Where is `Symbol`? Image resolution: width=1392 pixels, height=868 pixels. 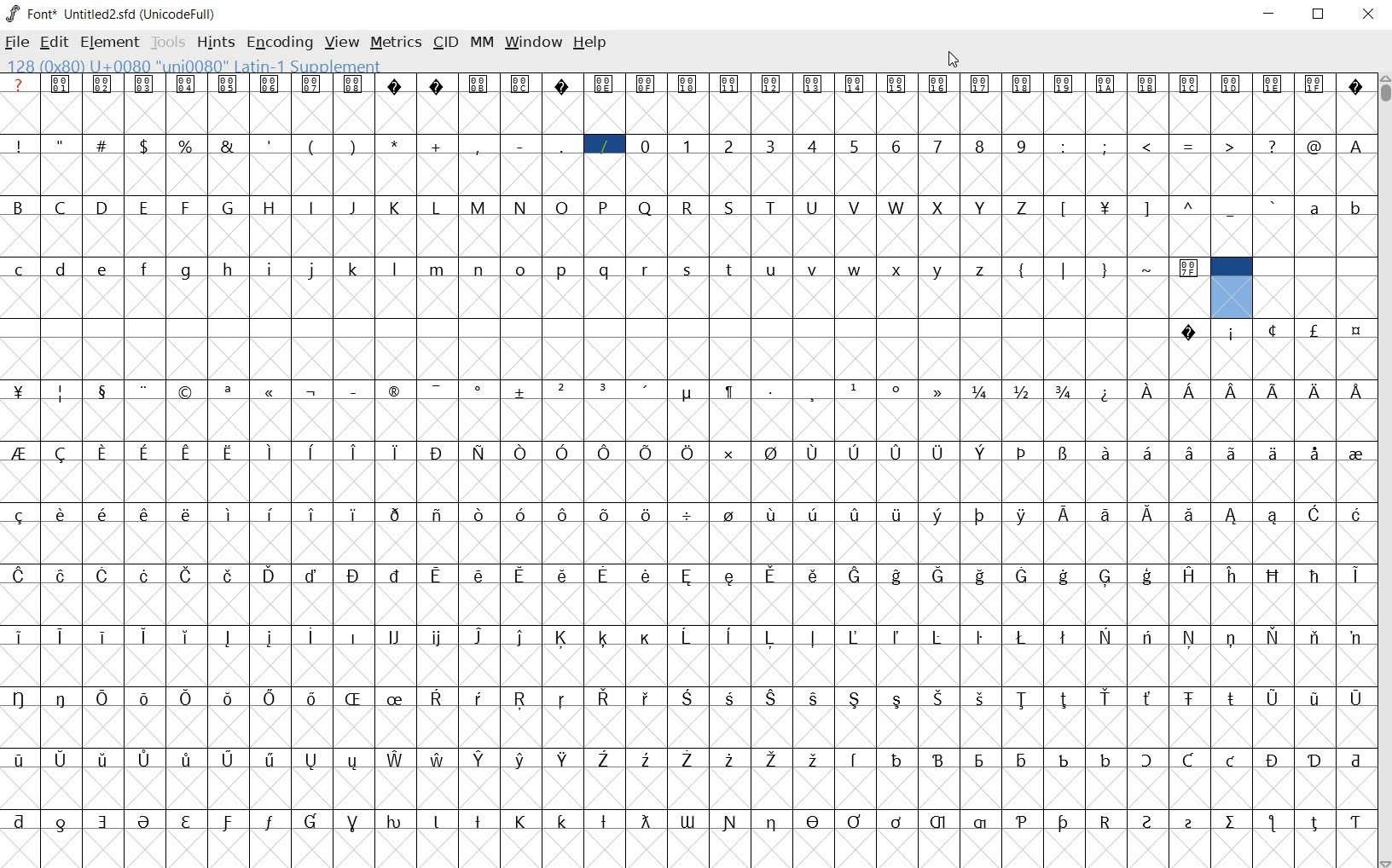
Symbol is located at coordinates (1273, 759).